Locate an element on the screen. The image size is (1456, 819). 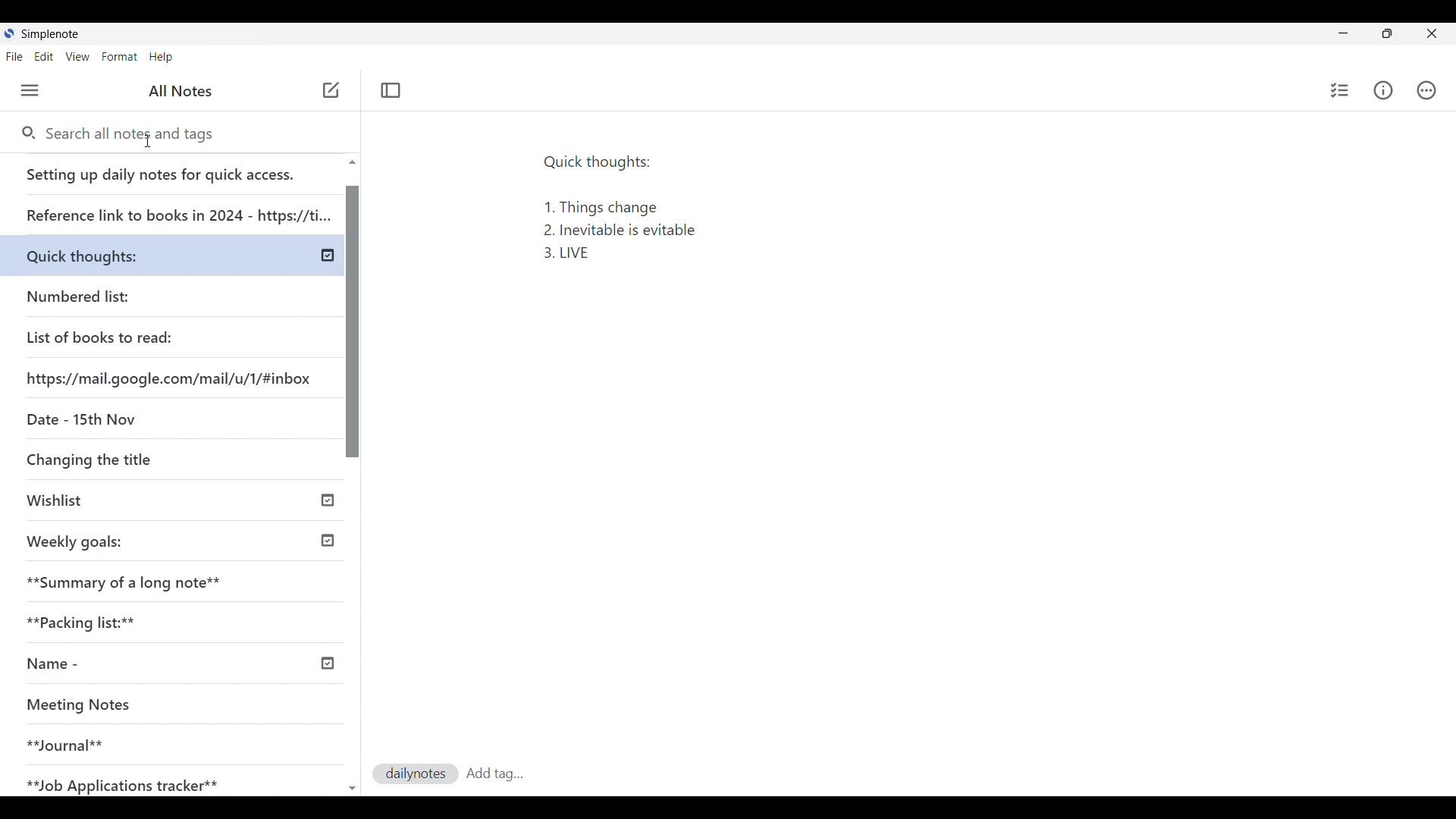
Numbered list is located at coordinates (121, 293).